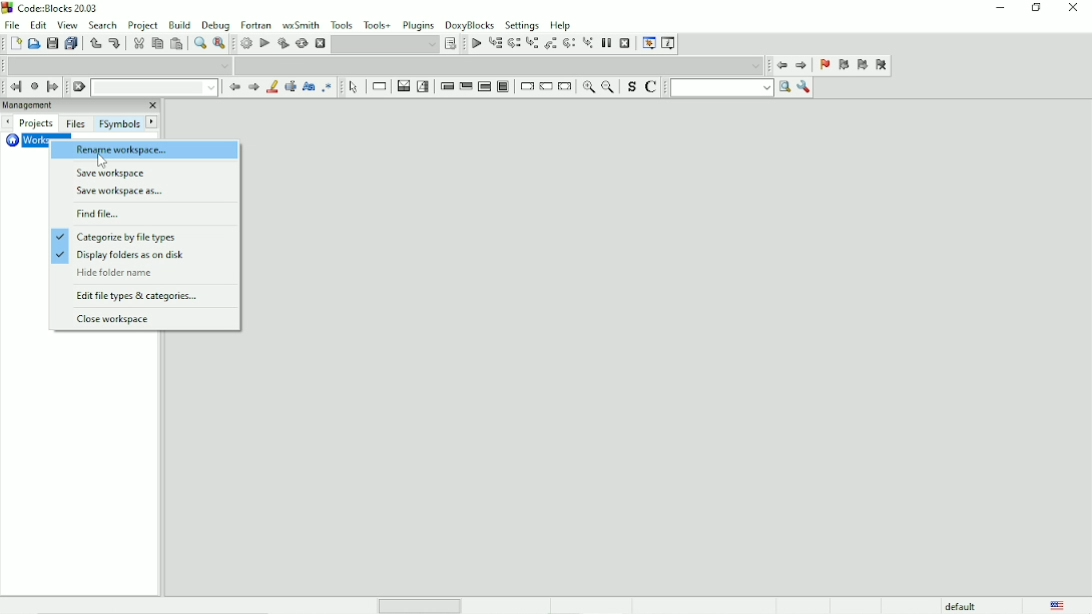 This screenshot has width=1092, height=614. Describe the element at coordinates (780, 65) in the screenshot. I see `Jump back` at that location.